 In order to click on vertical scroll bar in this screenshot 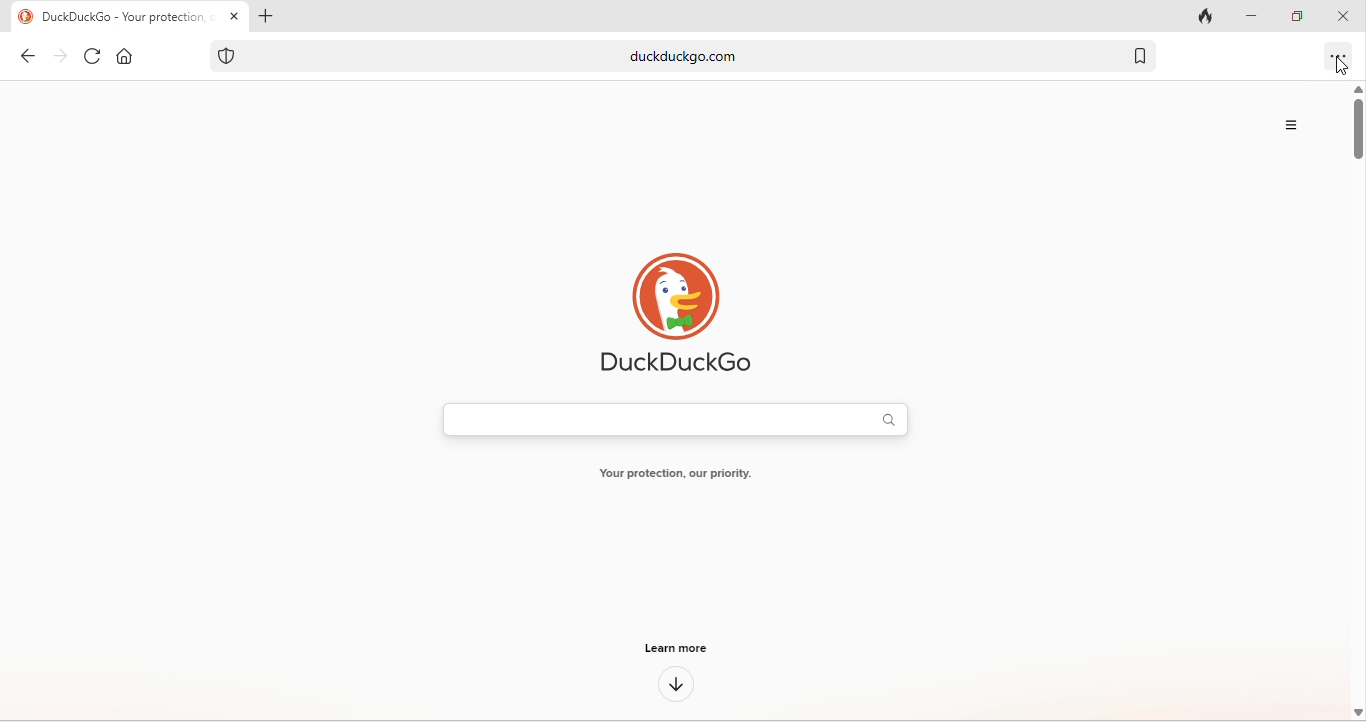, I will do `click(1357, 131)`.